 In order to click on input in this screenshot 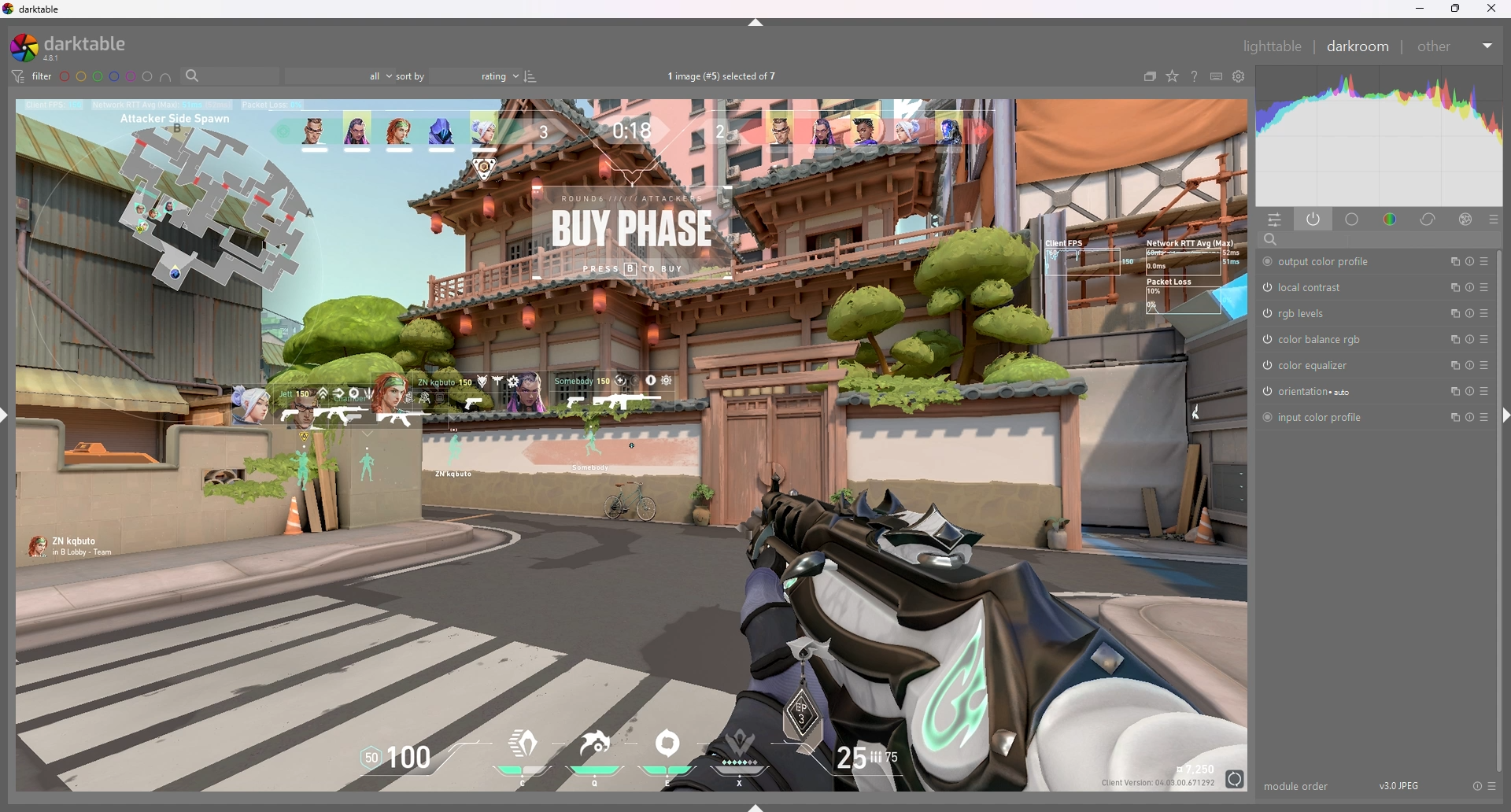, I will do `click(1358, 239)`.